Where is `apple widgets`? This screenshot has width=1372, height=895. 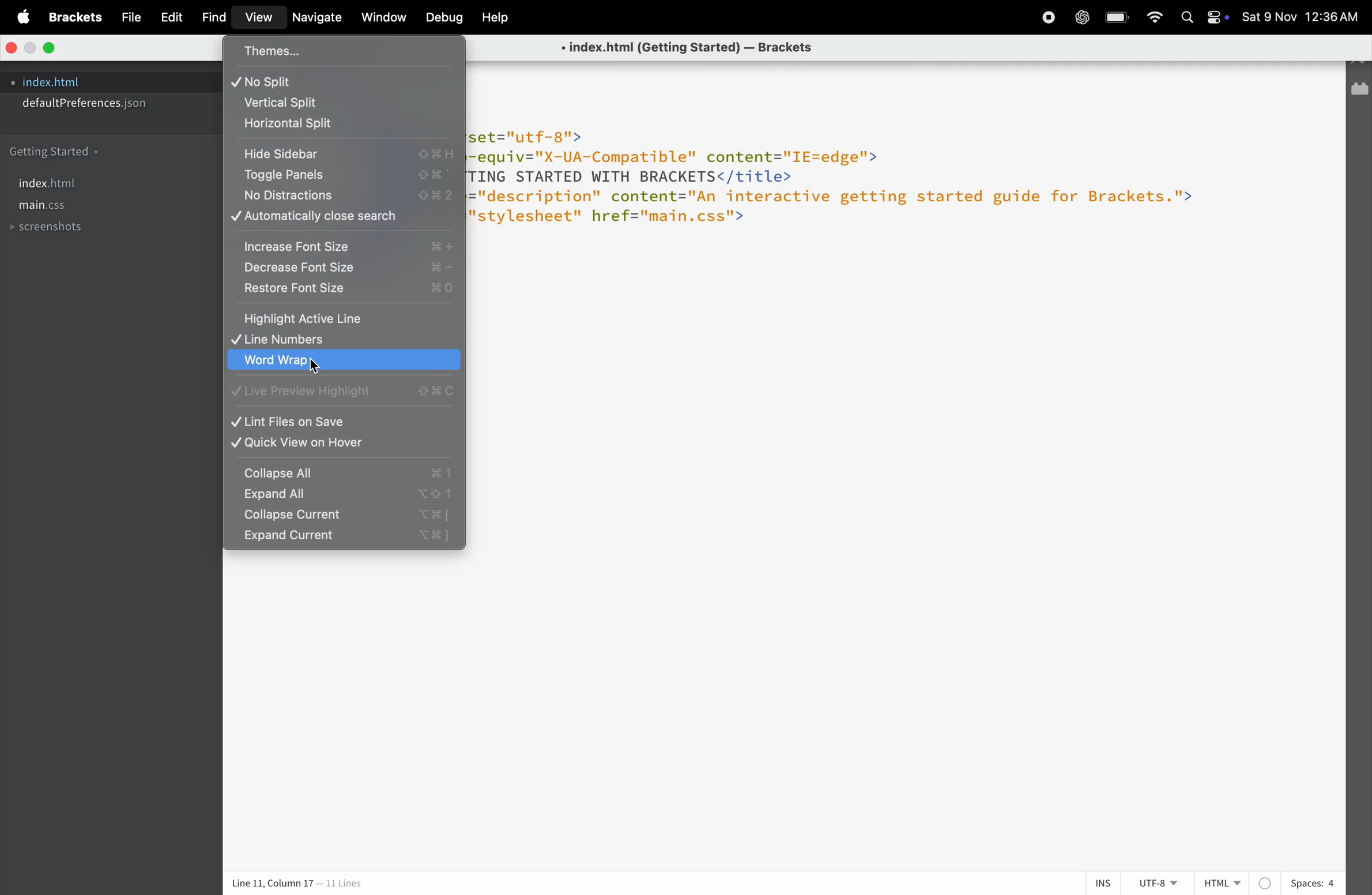 apple widgets is located at coordinates (1206, 18).